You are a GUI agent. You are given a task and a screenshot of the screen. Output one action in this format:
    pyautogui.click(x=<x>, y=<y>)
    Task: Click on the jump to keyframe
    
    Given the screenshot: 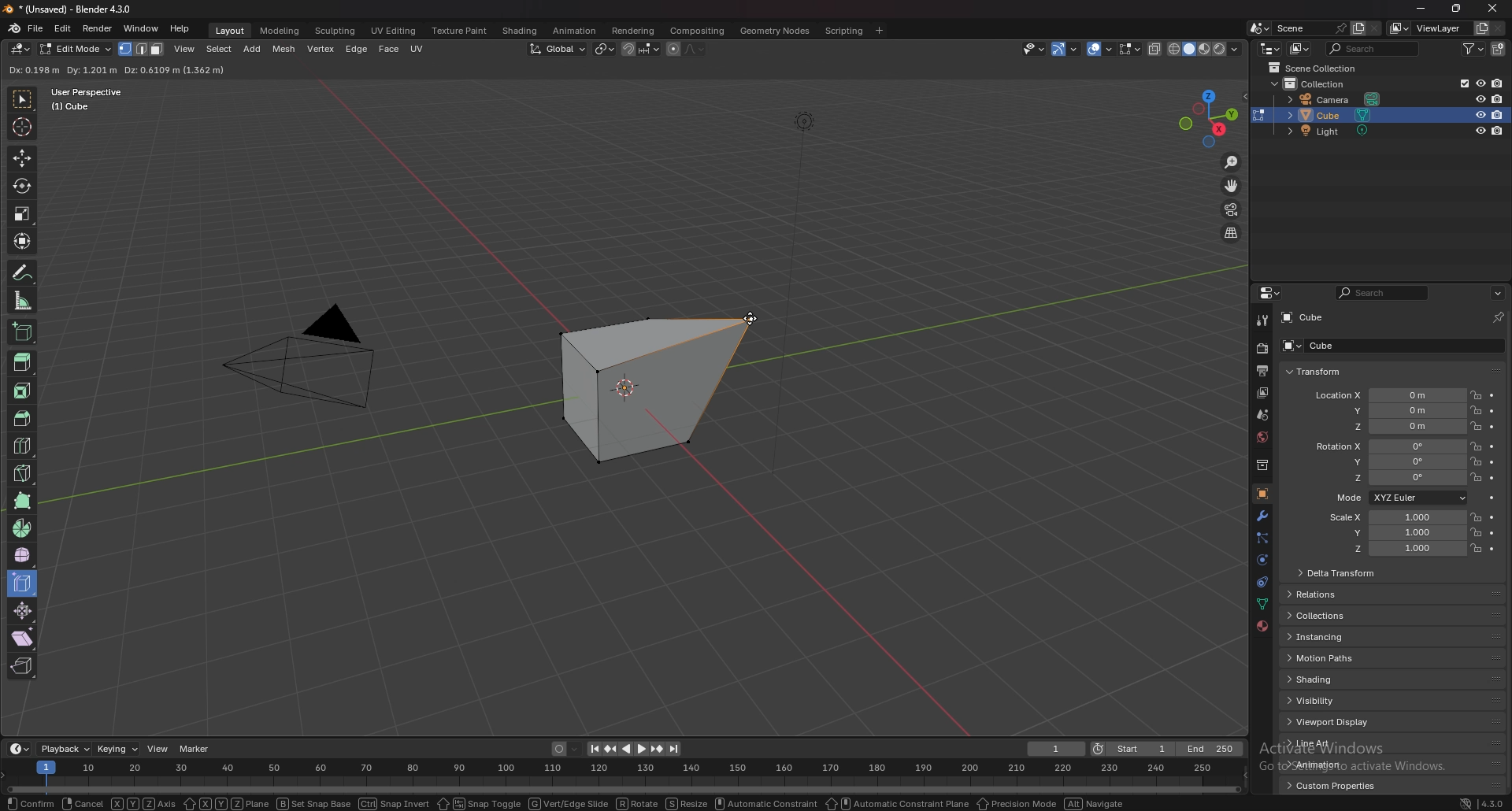 What is the action you would take?
    pyautogui.click(x=611, y=749)
    